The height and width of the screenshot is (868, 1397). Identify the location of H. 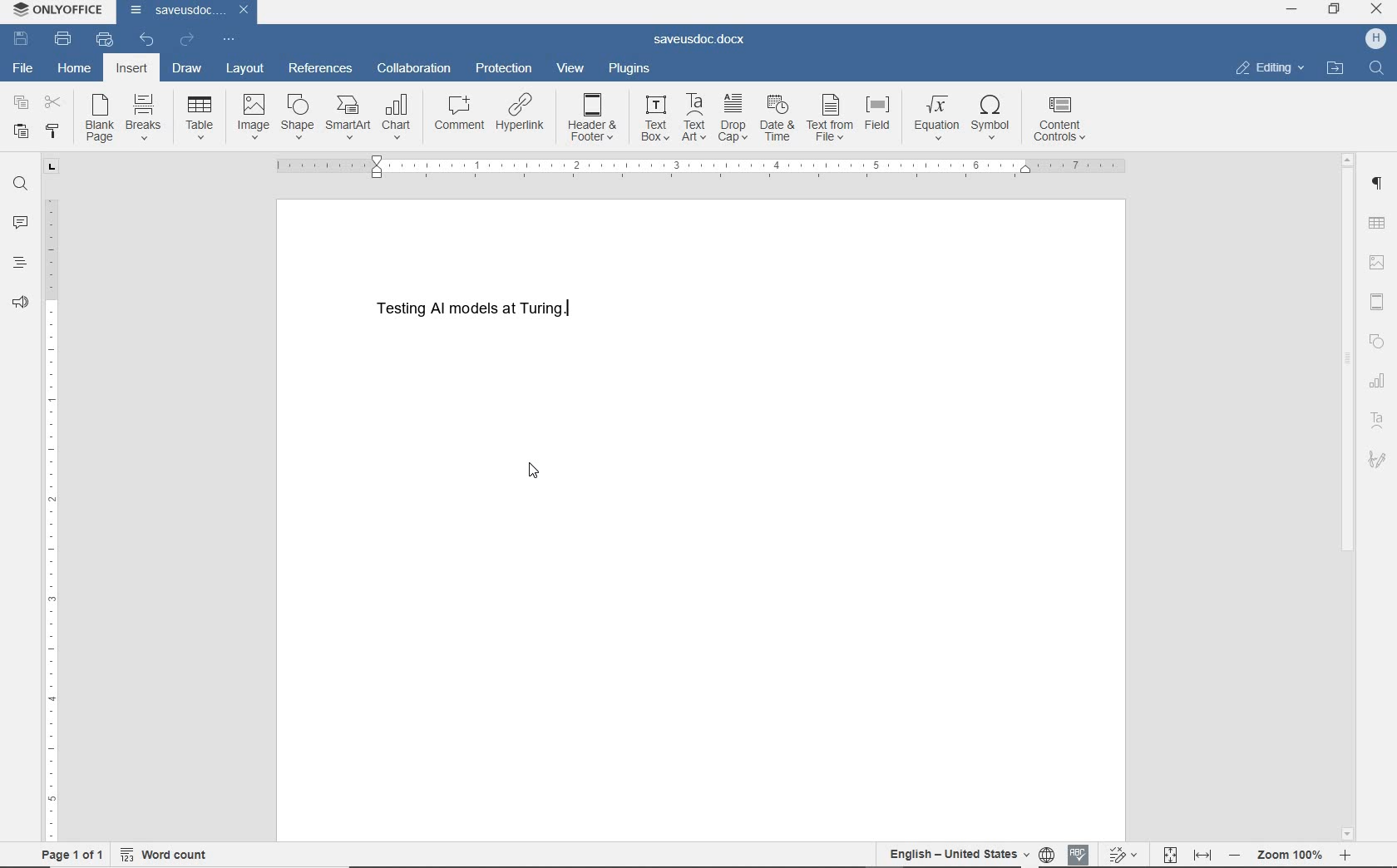
(1370, 40).